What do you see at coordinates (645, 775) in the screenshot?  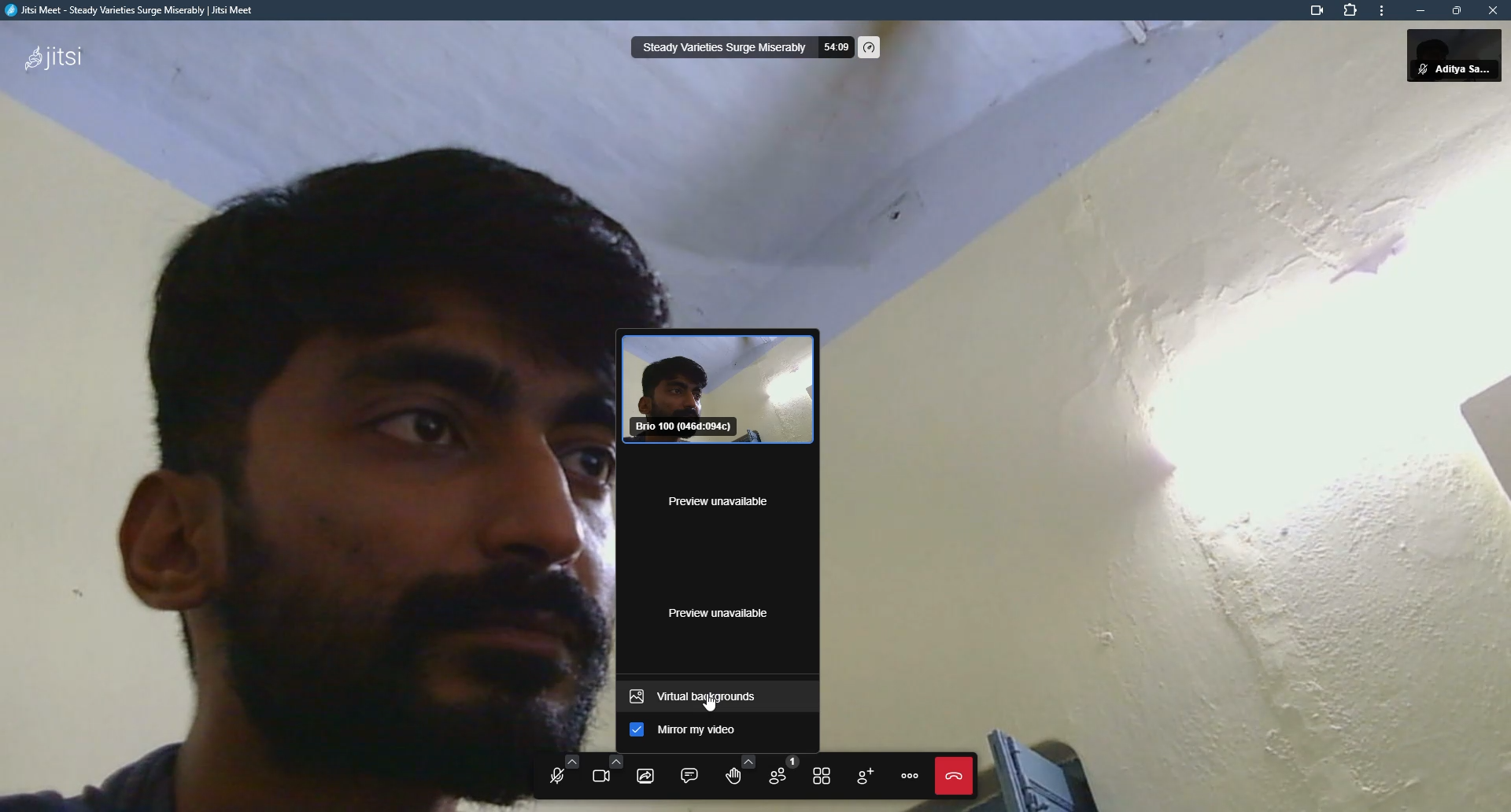 I see `share screen` at bounding box center [645, 775].